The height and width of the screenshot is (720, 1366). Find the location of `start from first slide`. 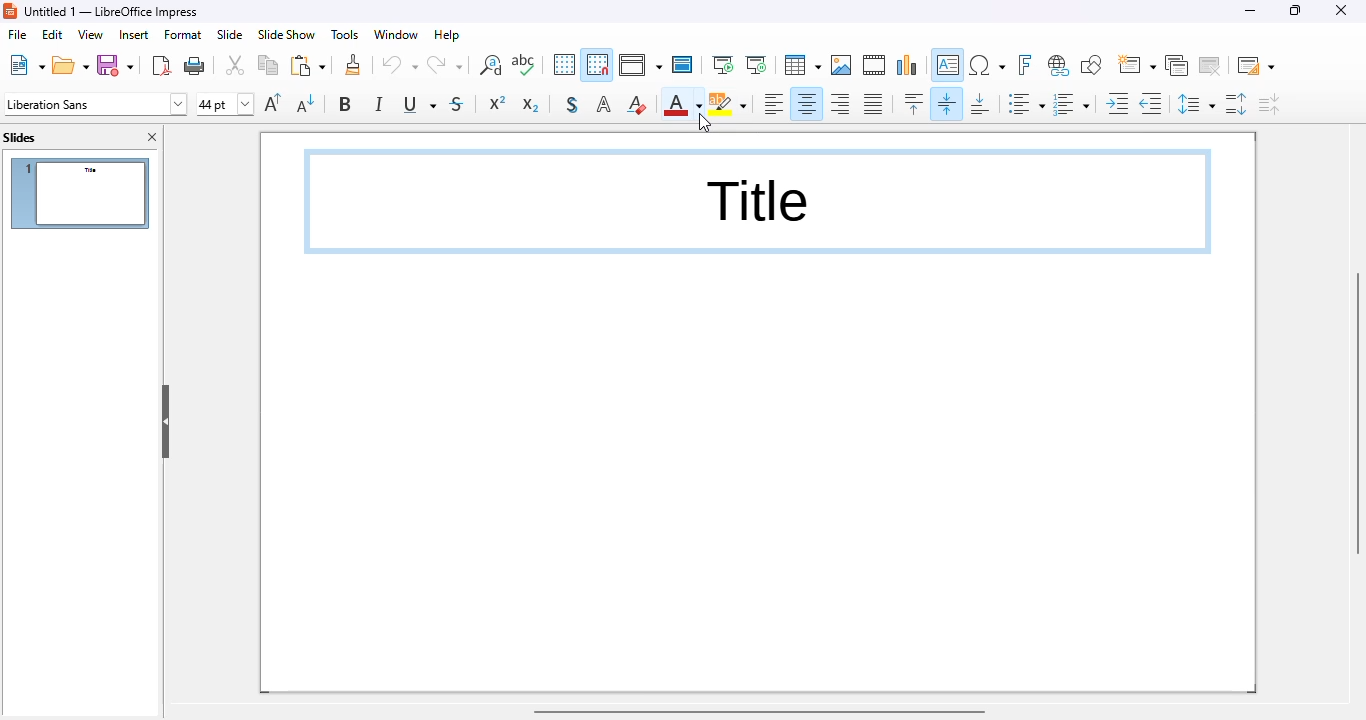

start from first slide is located at coordinates (723, 65).